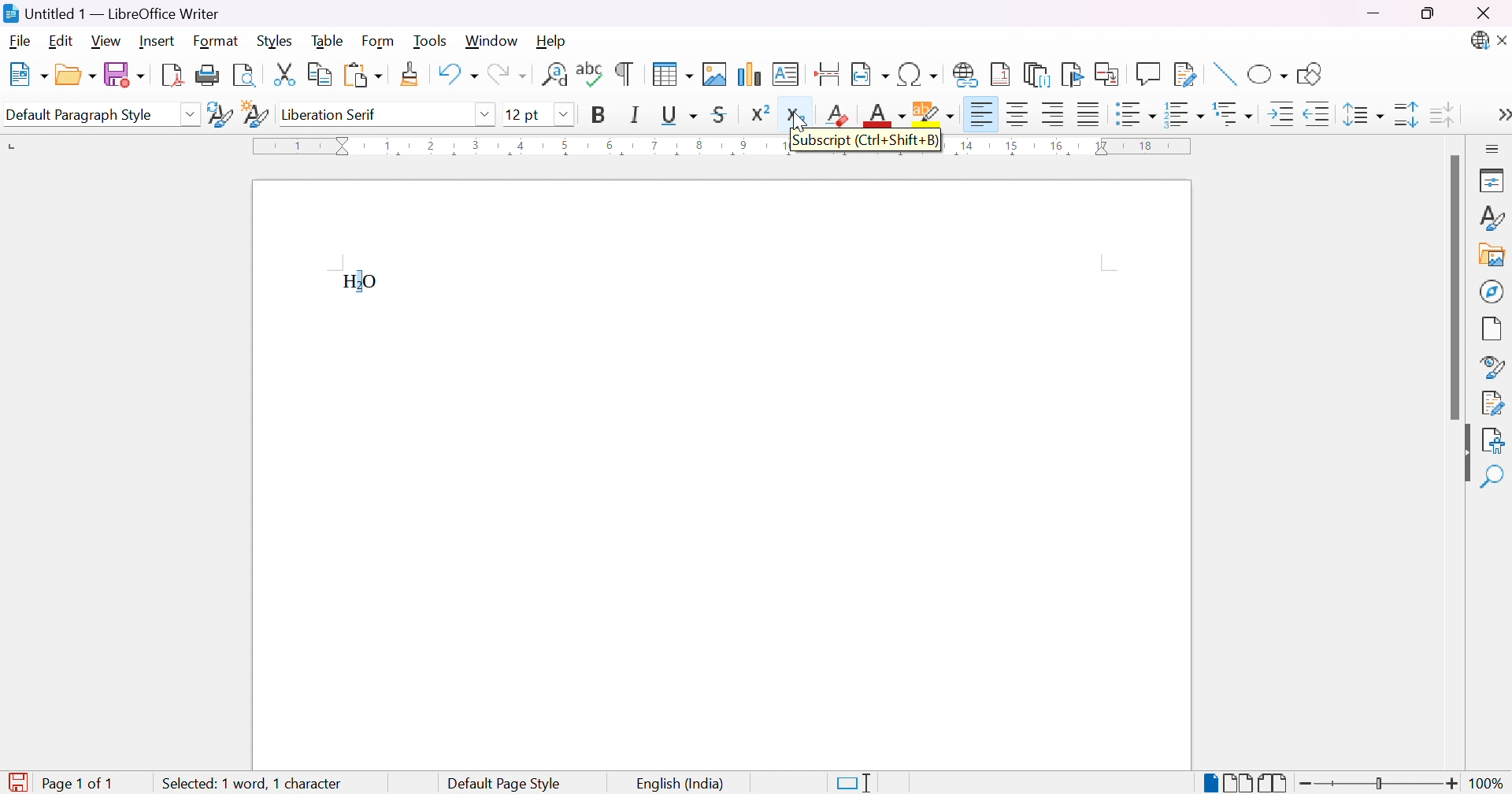 This screenshot has width=1512, height=794. Describe the element at coordinates (1273, 783) in the screenshot. I see `Book view` at that location.